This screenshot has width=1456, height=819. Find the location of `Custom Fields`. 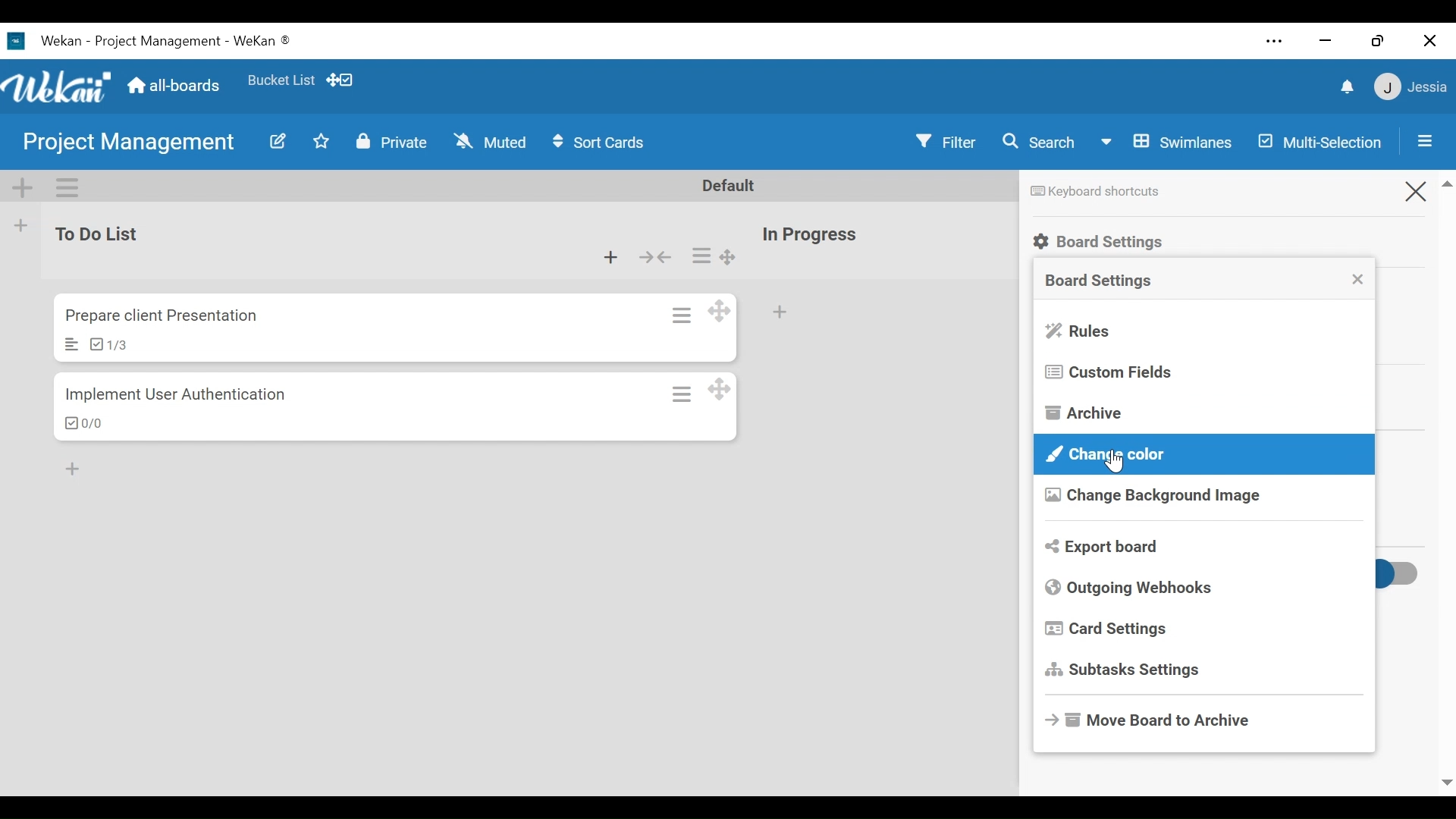

Custom Fields is located at coordinates (1109, 372).